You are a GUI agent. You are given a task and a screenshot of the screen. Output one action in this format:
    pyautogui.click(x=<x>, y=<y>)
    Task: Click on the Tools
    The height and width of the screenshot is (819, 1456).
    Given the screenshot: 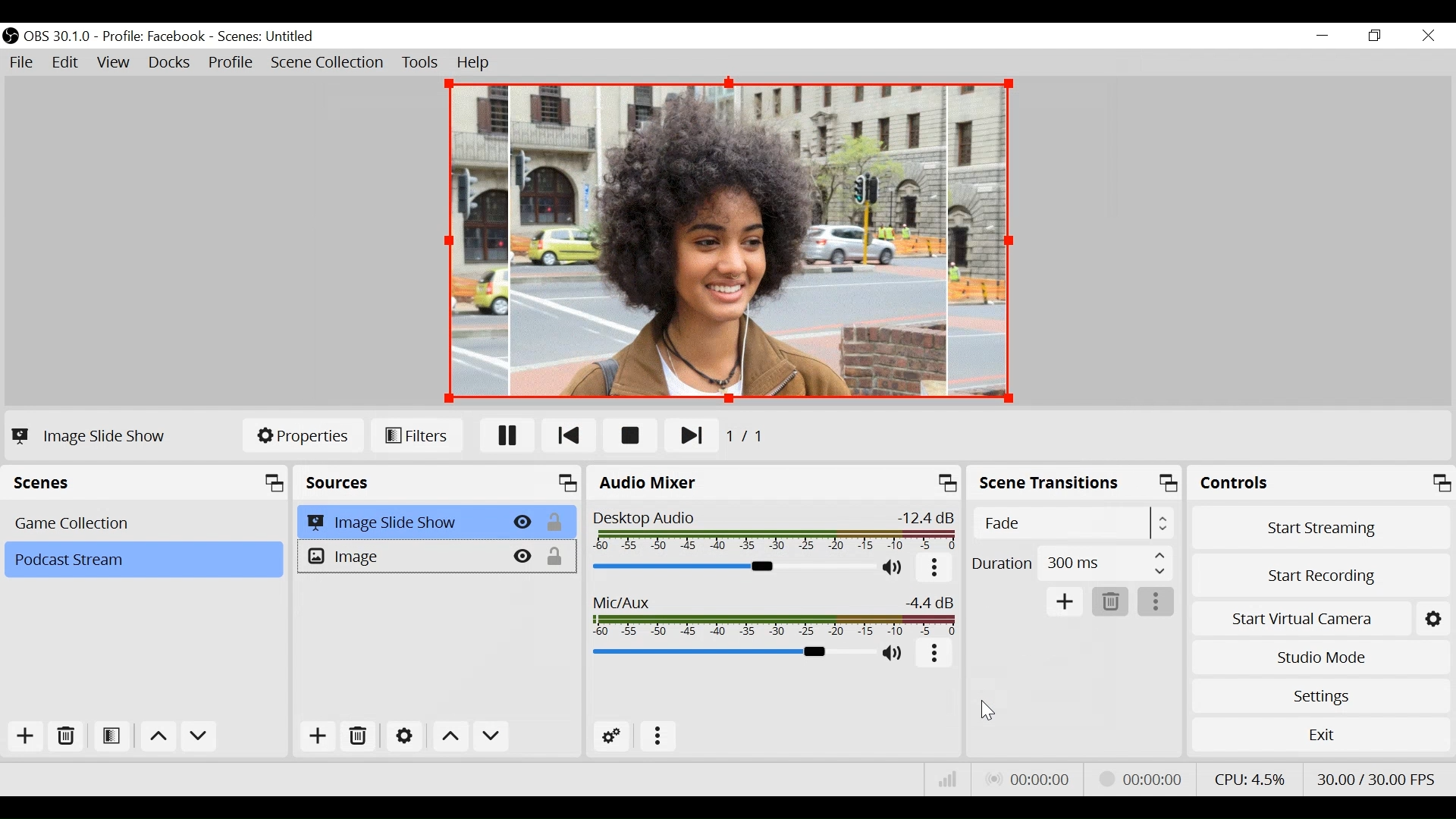 What is the action you would take?
    pyautogui.click(x=420, y=63)
    